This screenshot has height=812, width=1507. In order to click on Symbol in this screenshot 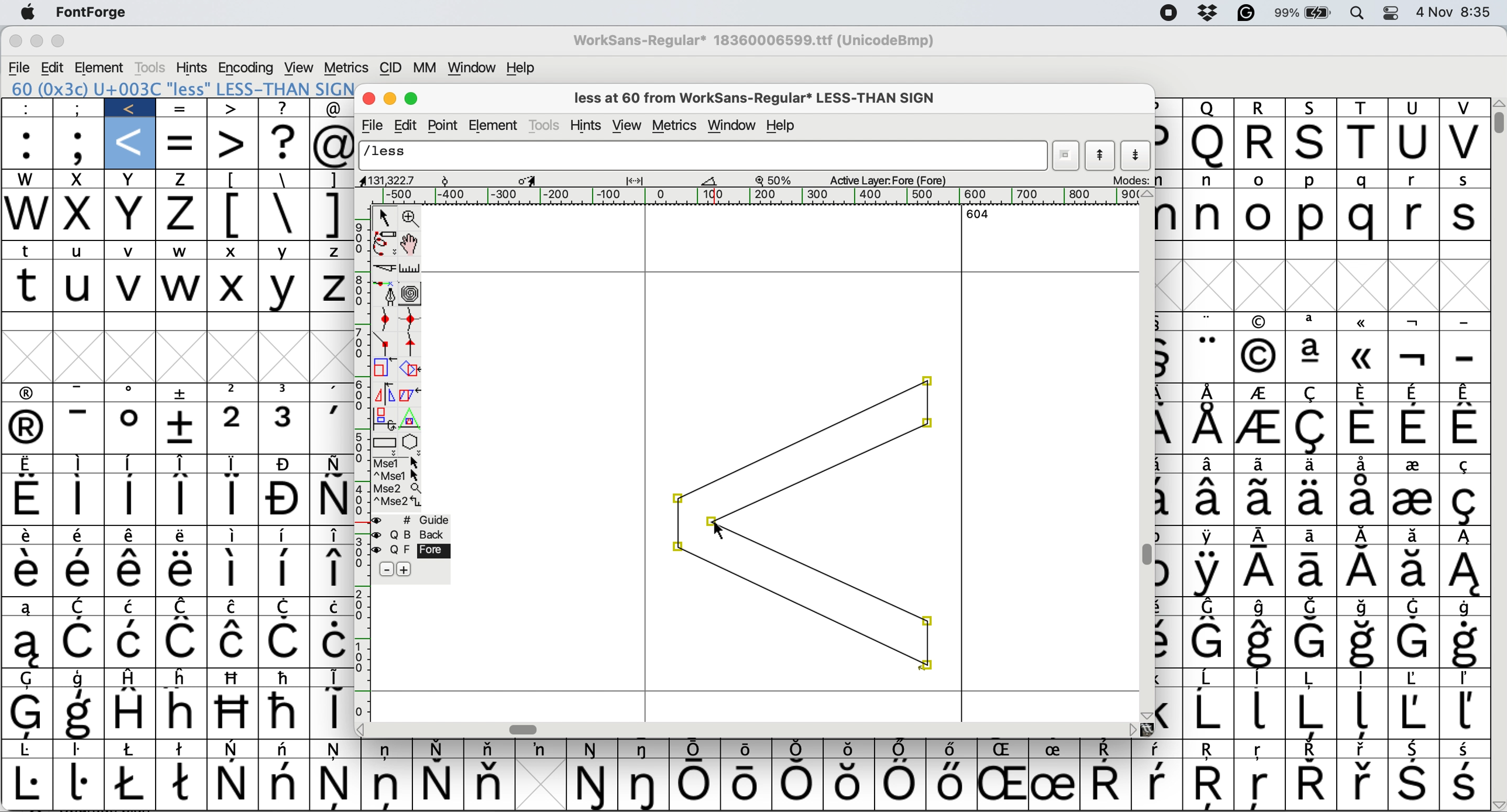, I will do `click(179, 428)`.